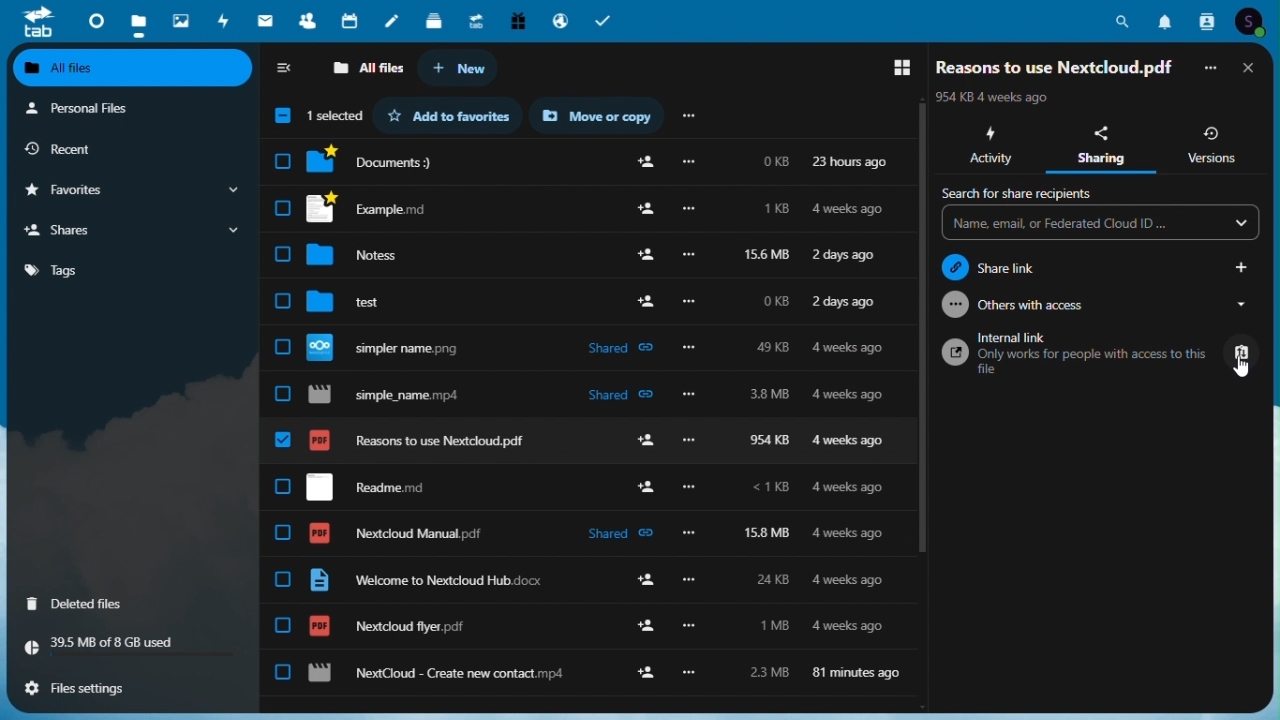 This screenshot has width=1280, height=720. Describe the element at coordinates (284, 579) in the screenshot. I see `checkbox` at that location.